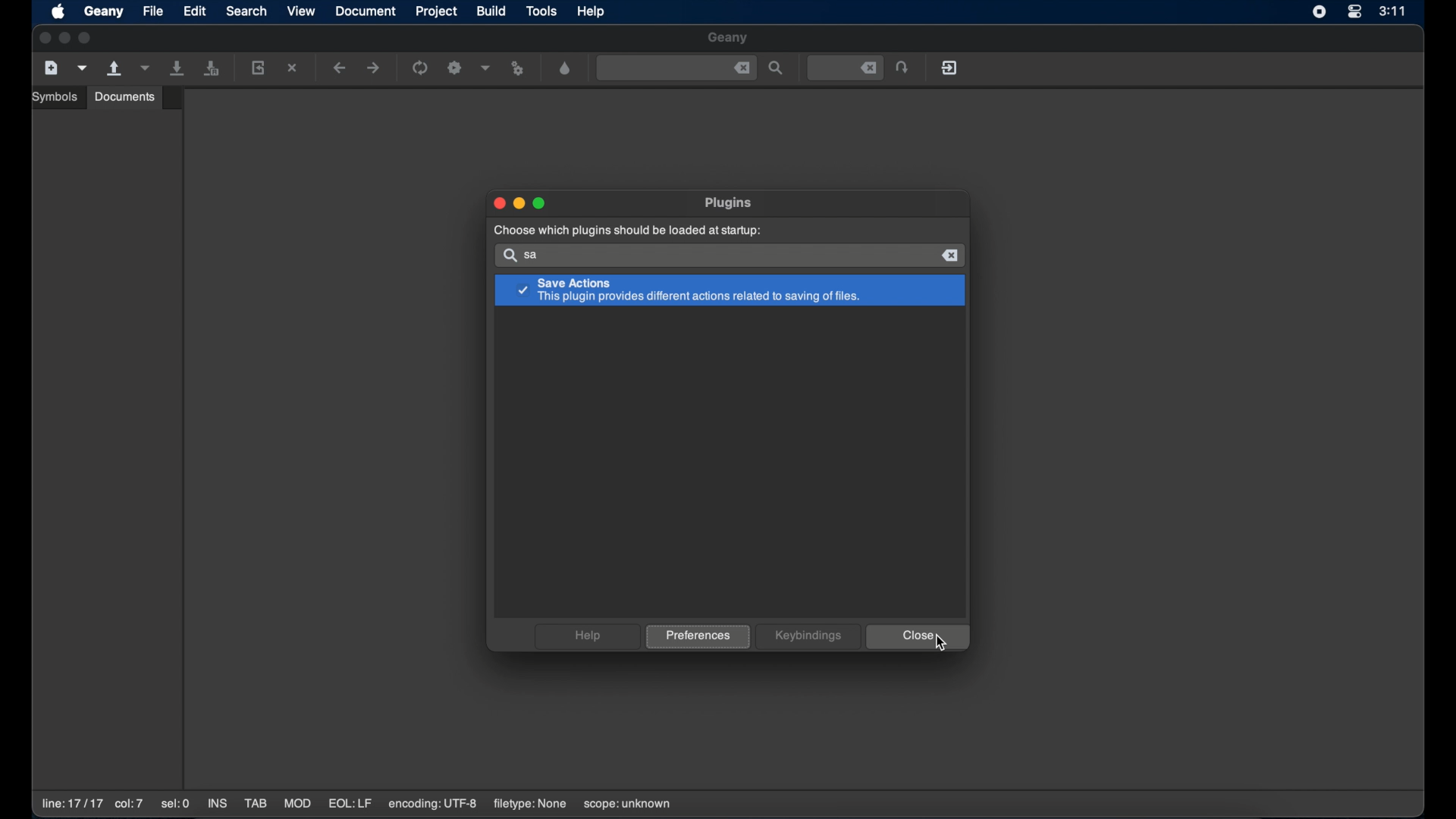 Image resolution: width=1456 pixels, height=819 pixels. I want to click on create a new file from template, so click(83, 68).